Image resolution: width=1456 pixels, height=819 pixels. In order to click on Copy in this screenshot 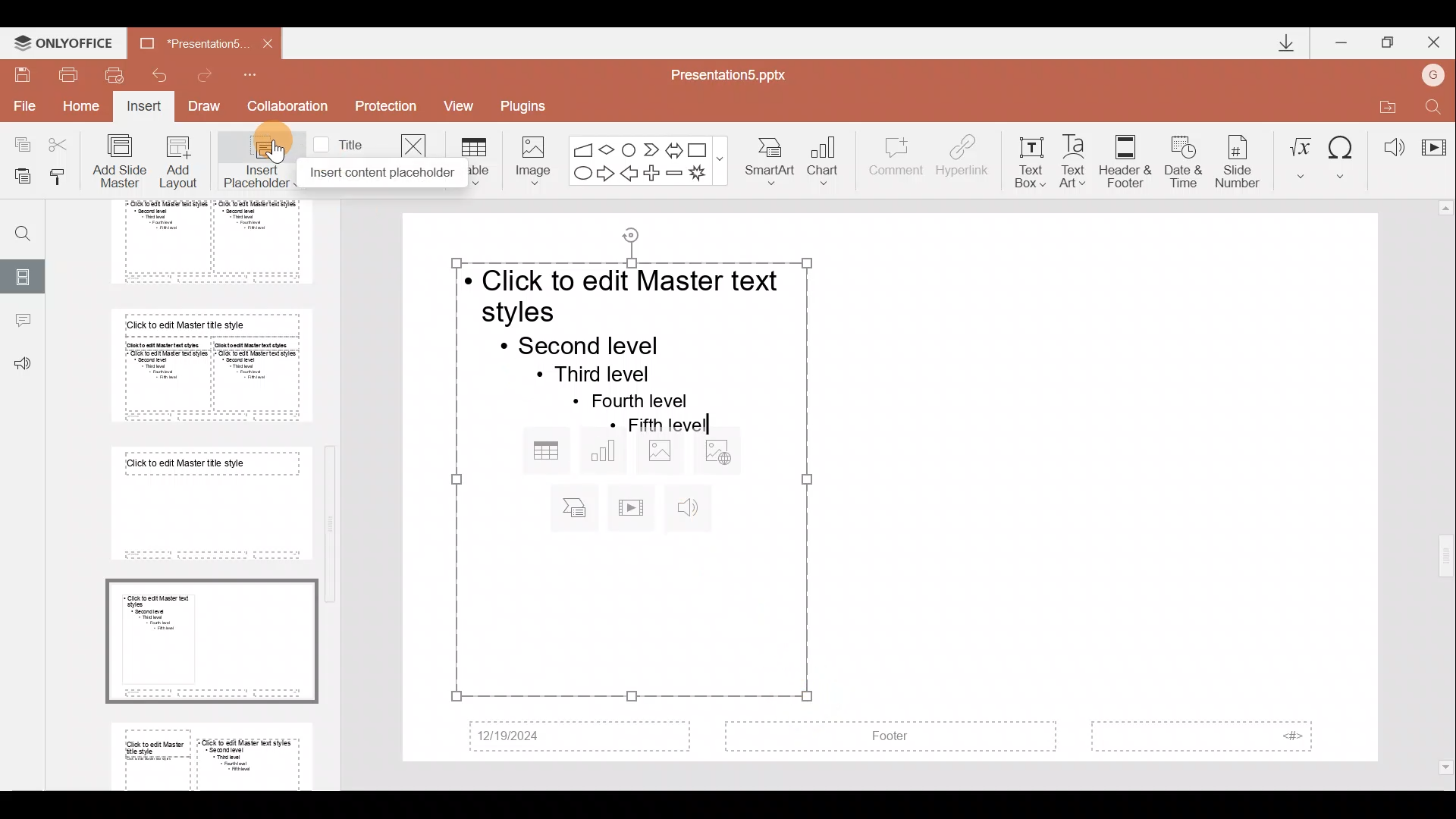, I will do `click(17, 144)`.